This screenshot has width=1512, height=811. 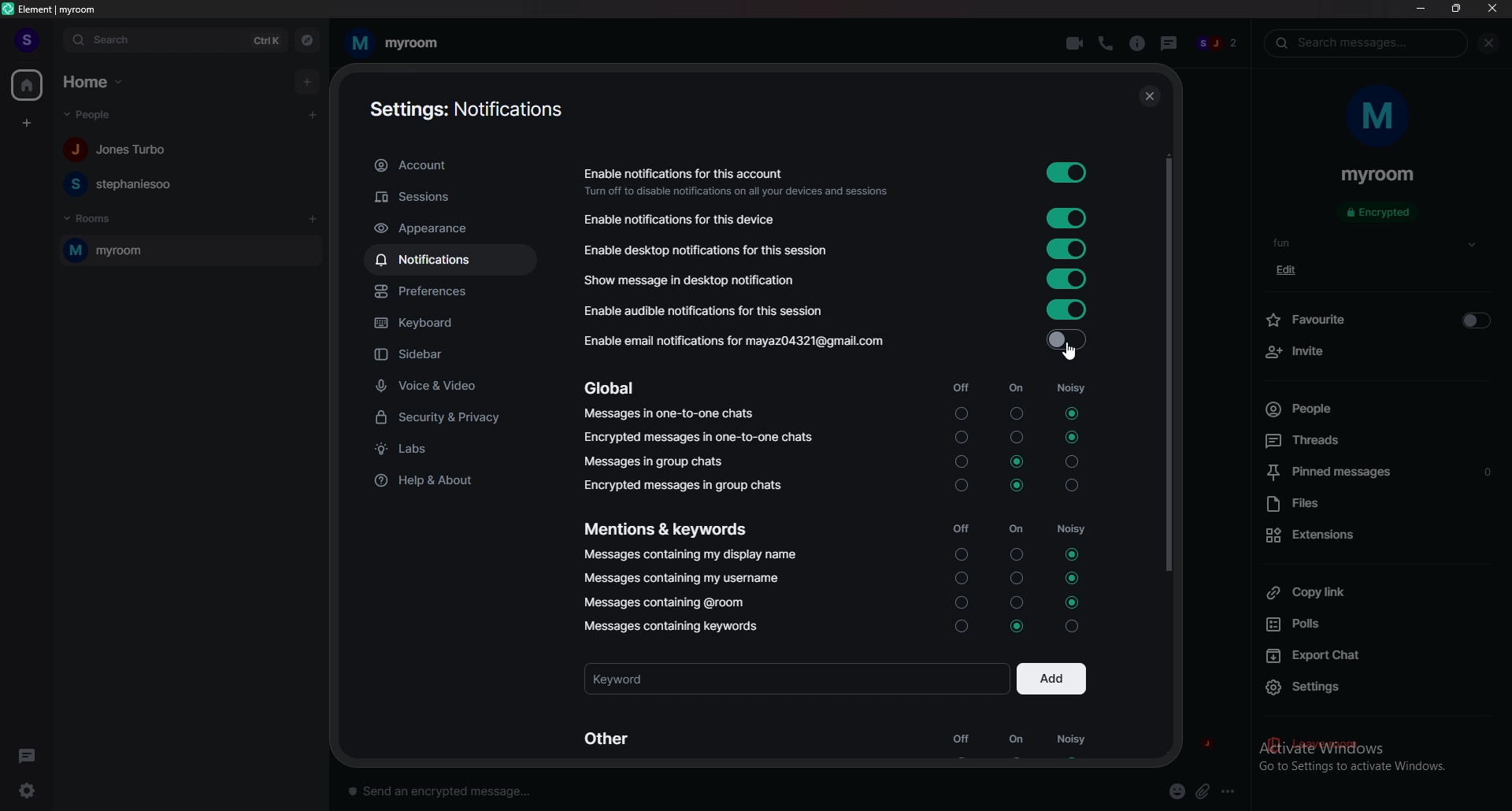 What do you see at coordinates (307, 39) in the screenshot?
I see `explore rooms` at bounding box center [307, 39].